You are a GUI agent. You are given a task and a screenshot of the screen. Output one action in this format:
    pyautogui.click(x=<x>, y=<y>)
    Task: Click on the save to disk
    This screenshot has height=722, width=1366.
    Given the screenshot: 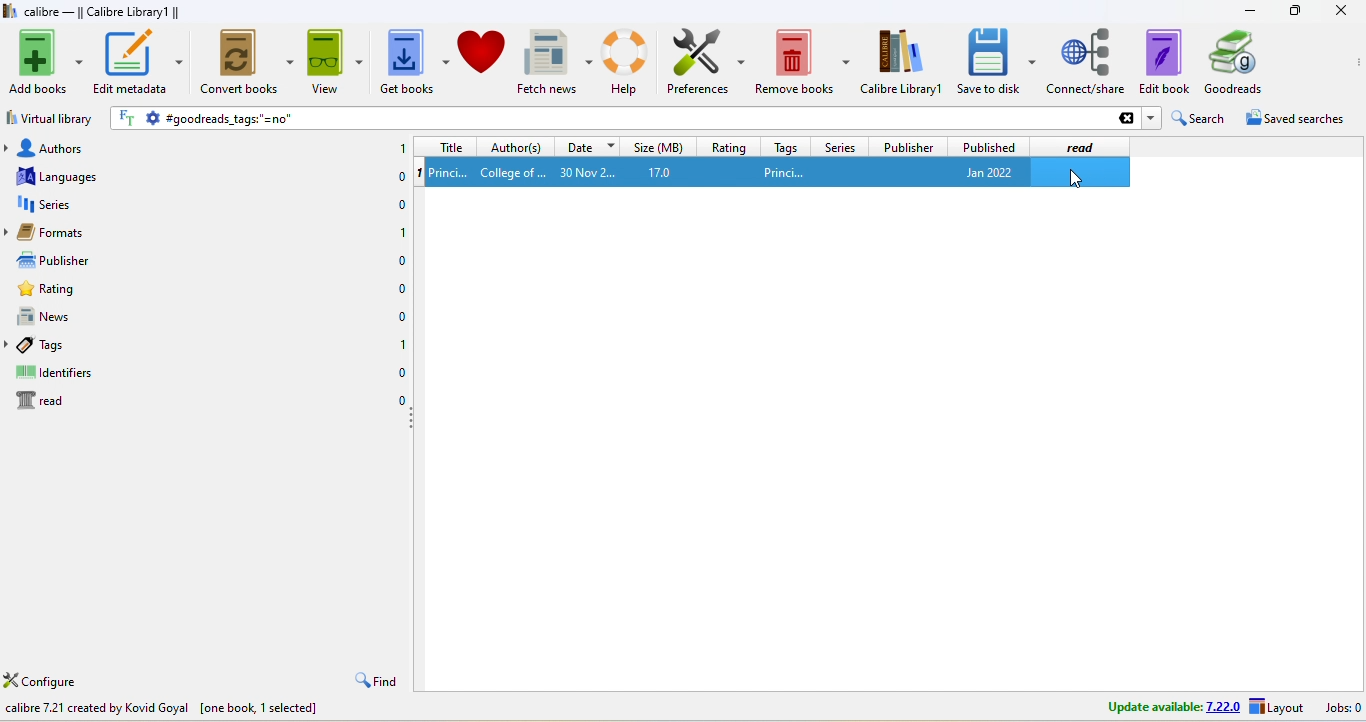 What is the action you would take?
    pyautogui.click(x=996, y=62)
    